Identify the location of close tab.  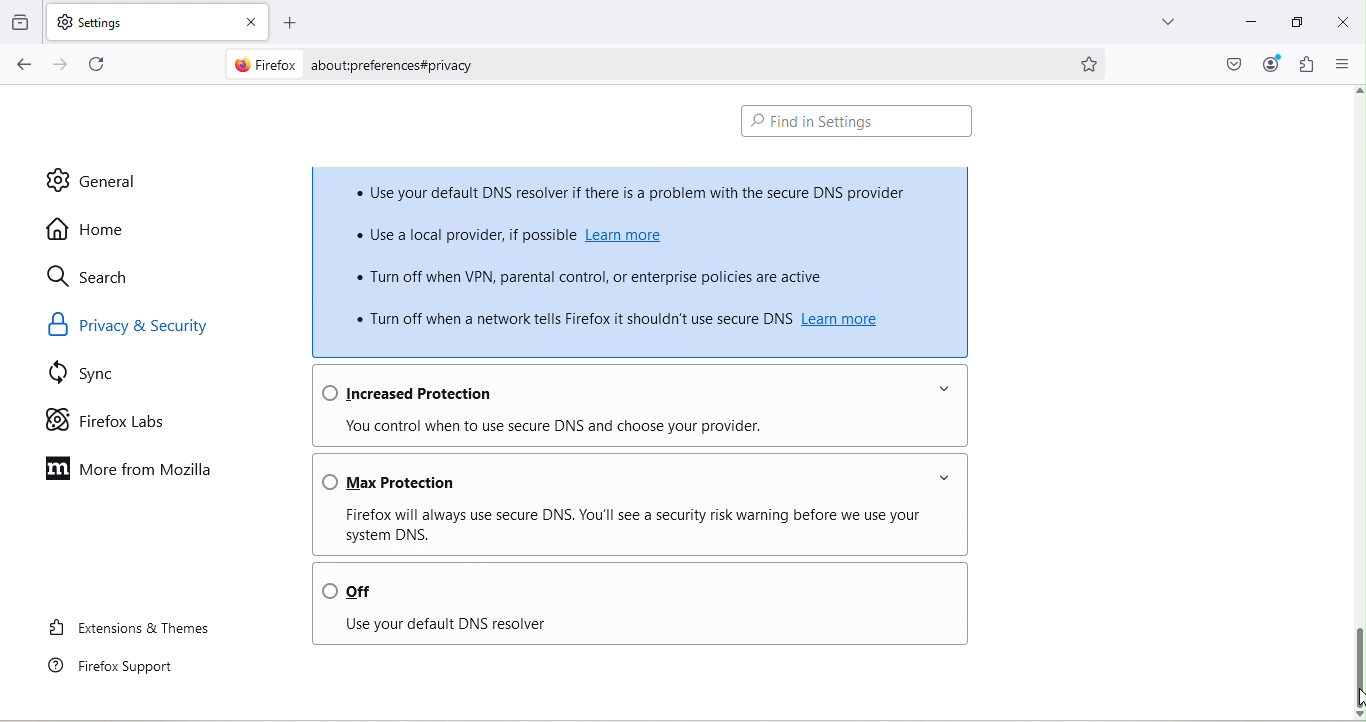
(248, 18).